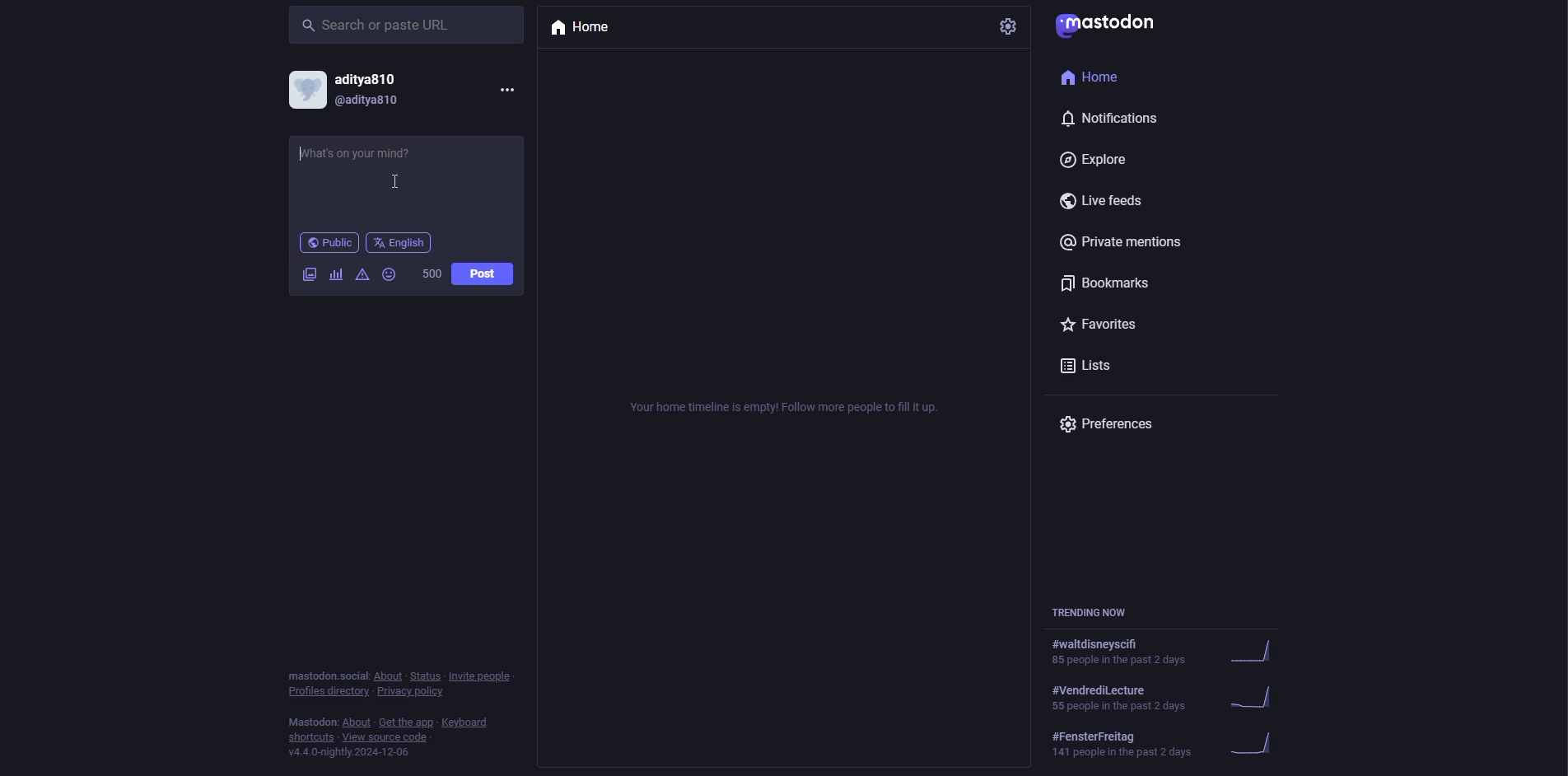  I want to click on notifications, so click(1119, 119).